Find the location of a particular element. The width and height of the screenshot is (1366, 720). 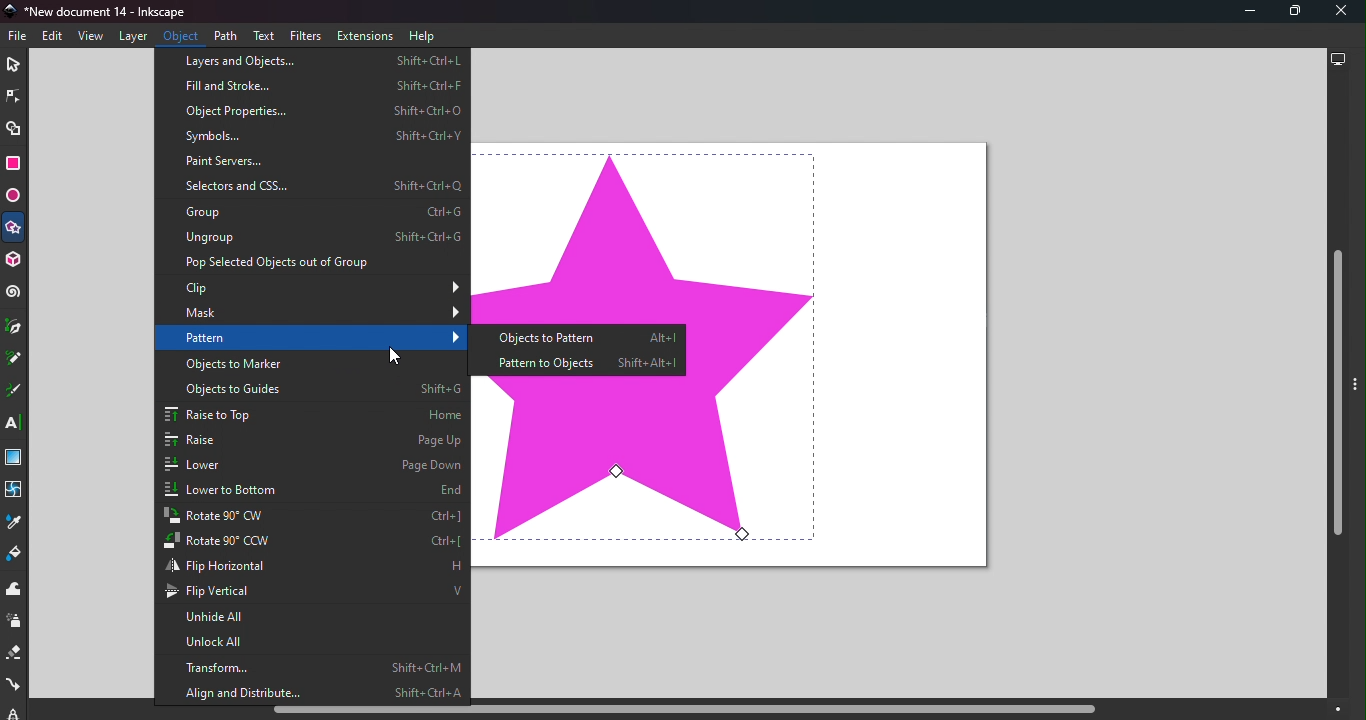

Help is located at coordinates (424, 37).